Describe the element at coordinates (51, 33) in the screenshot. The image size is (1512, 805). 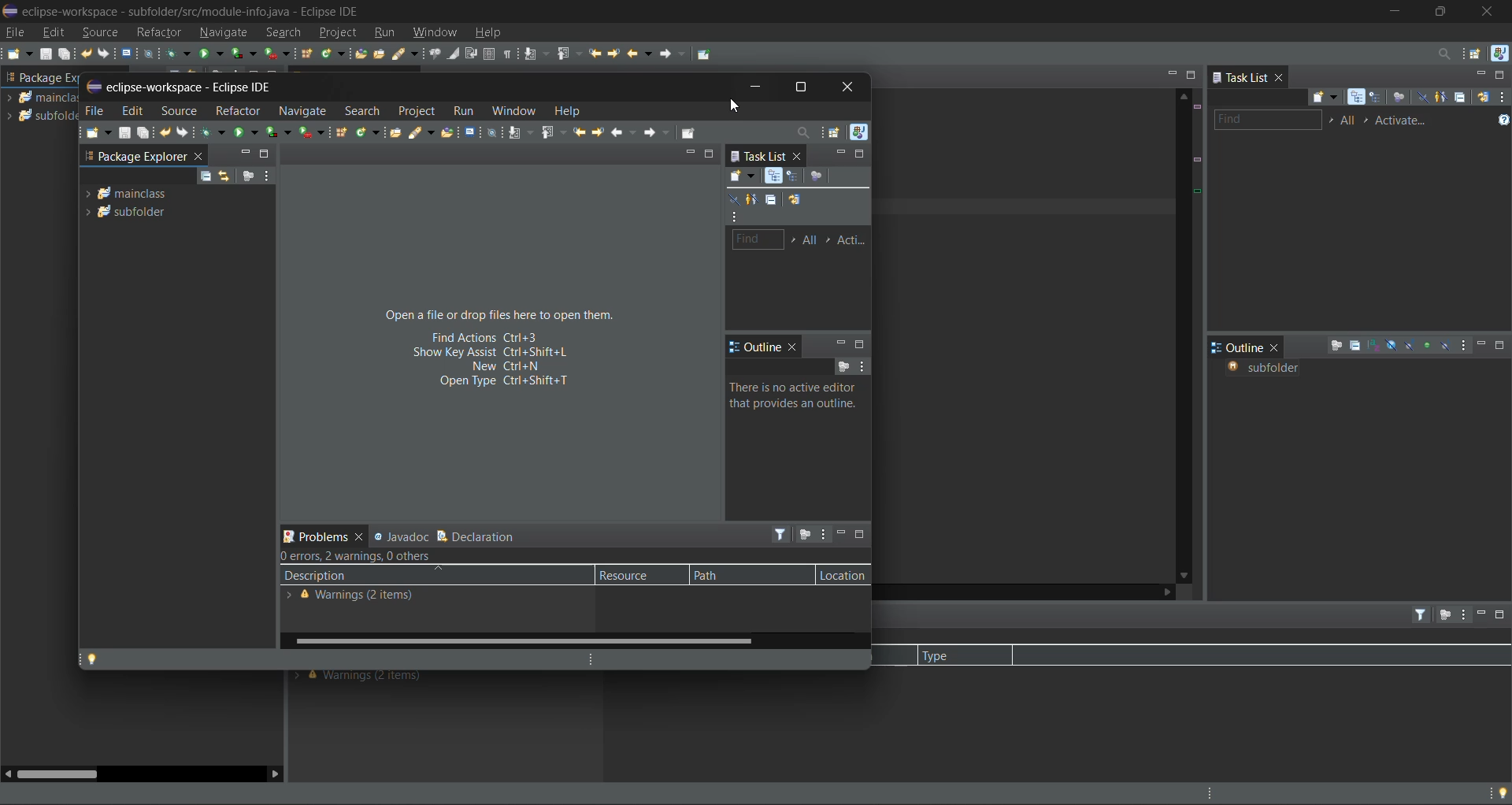
I see `edit` at that location.